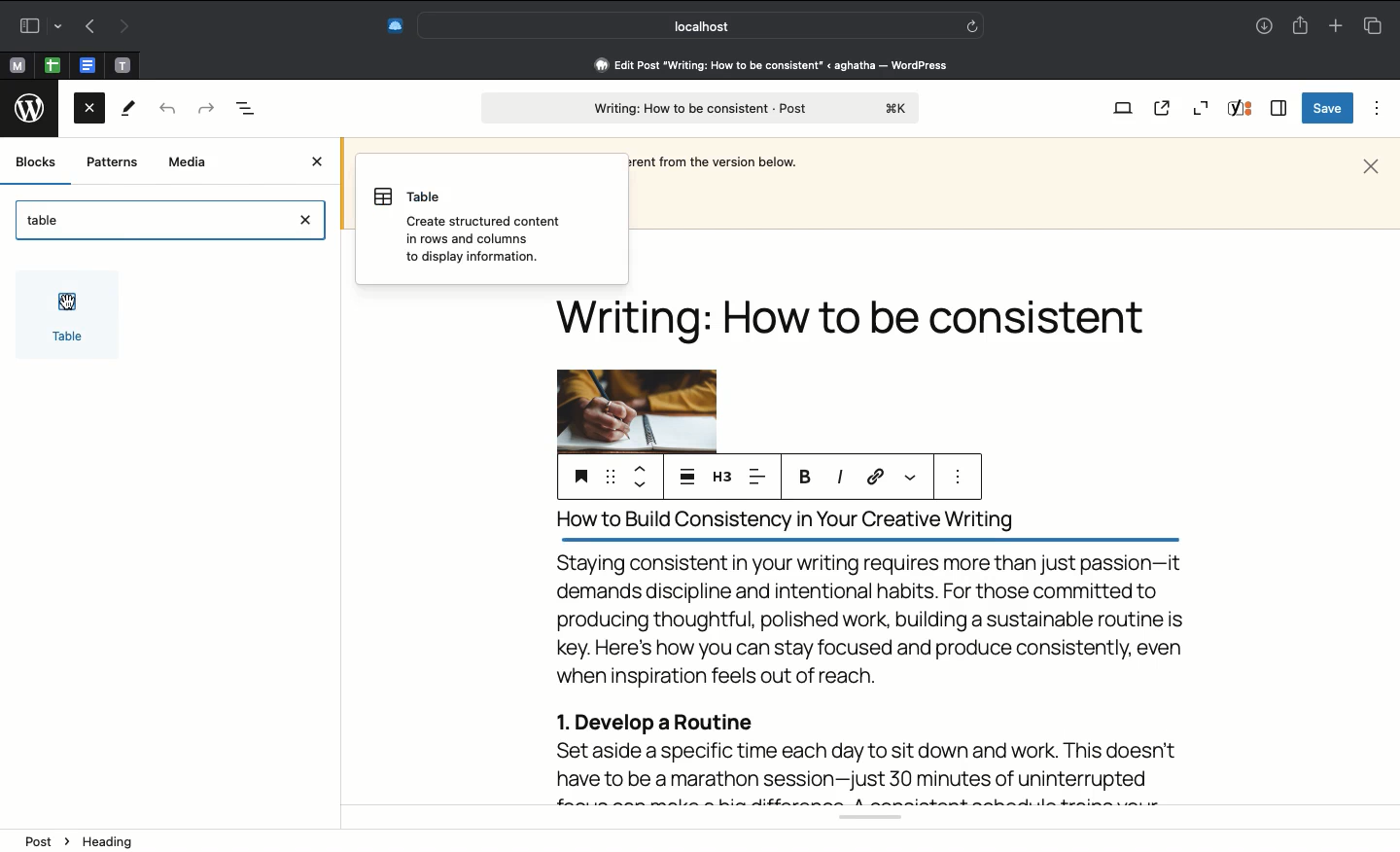 The height and width of the screenshot is (852, 1400). What do you see at coordinates (871, 653) in the screenshot?
I see `Body` at bounding box center [871, 653].